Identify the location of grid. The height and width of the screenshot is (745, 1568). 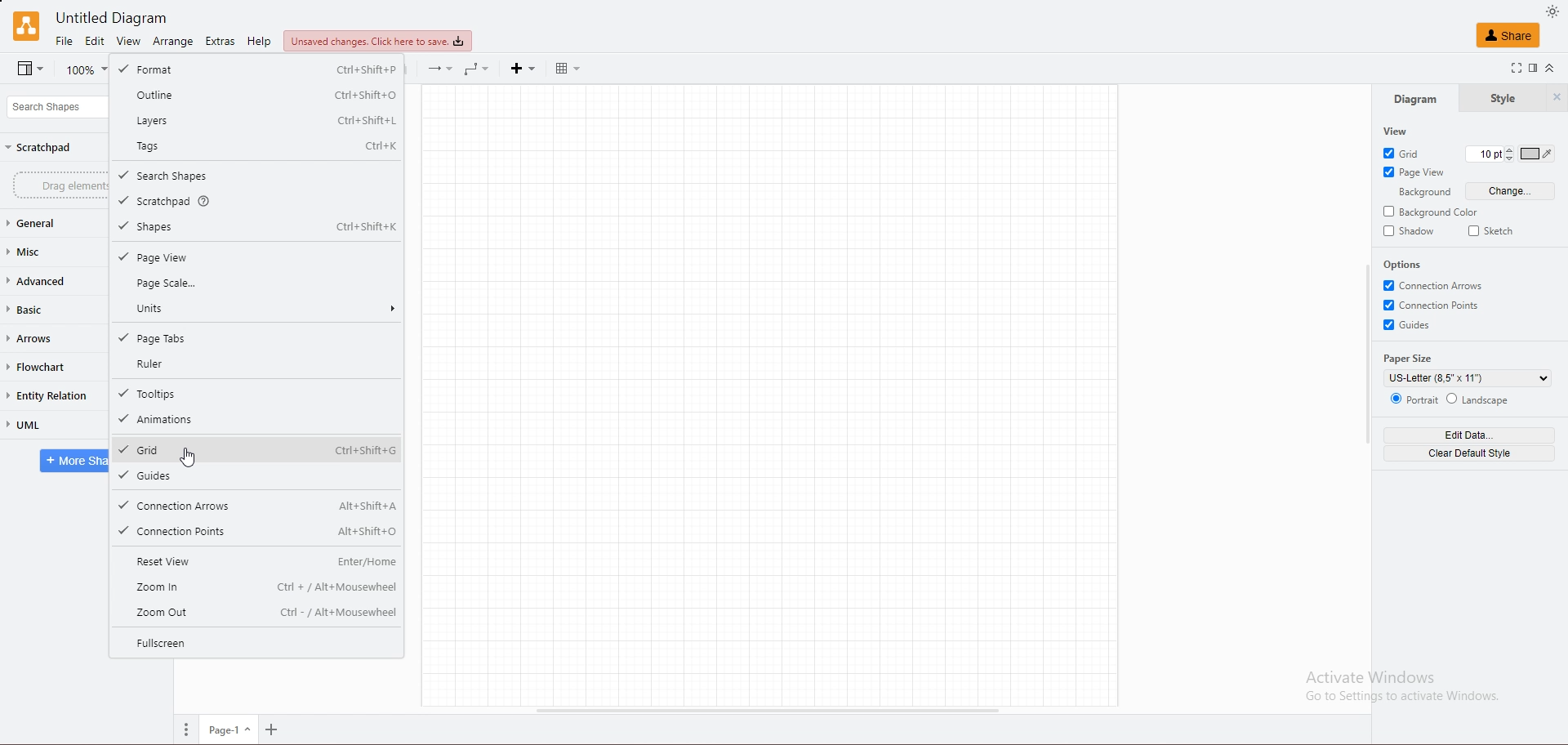
(1408, 152).